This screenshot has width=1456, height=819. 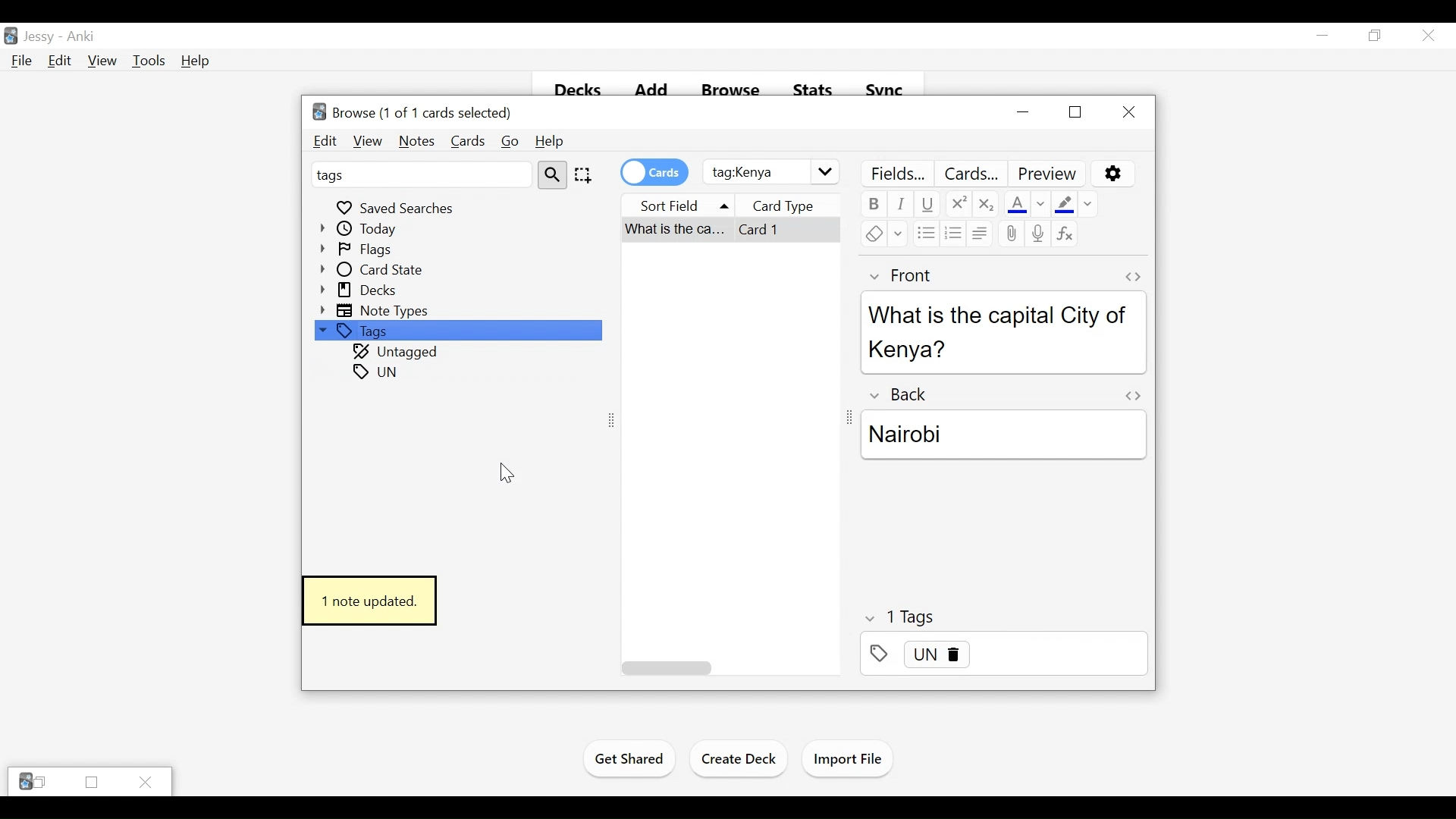 What do you see at coordinates (681, 203) in the screenshot?
I see `Sort field` at bounding box center [681, 203].